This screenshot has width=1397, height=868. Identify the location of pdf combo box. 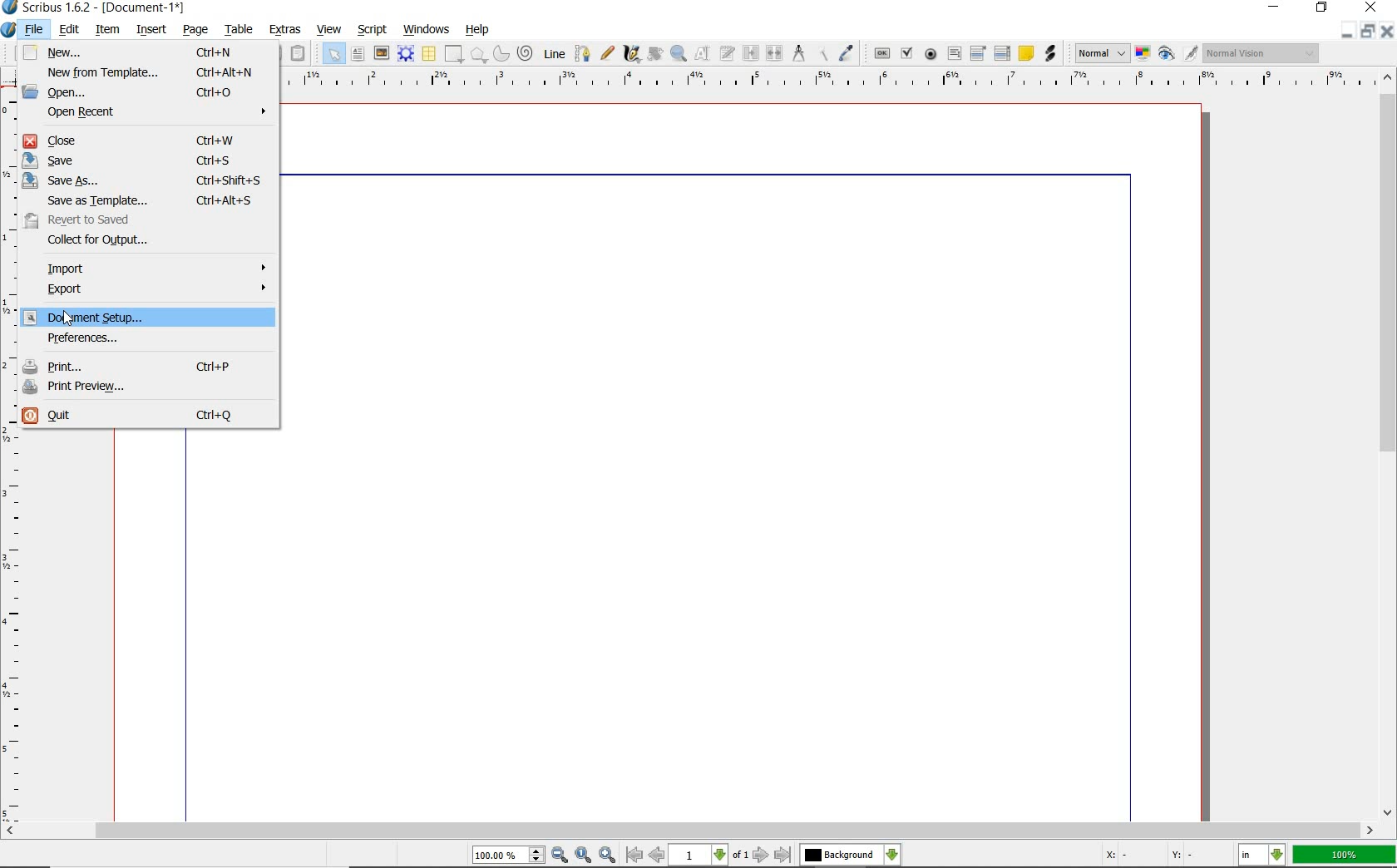
(979, 54).